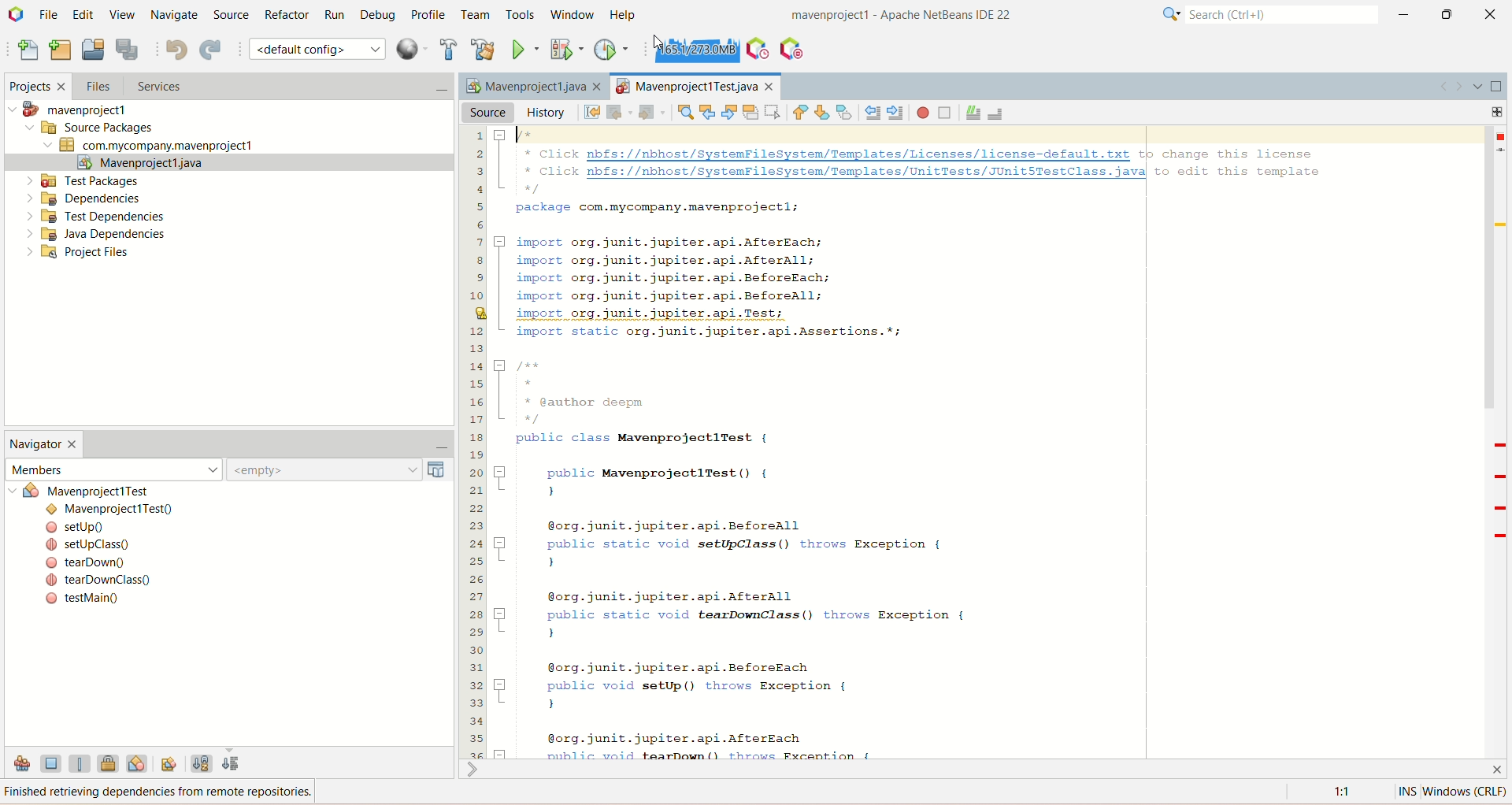  Describe the element at coordinates (1497, 770) in the screenshot. I see `close` at that location.